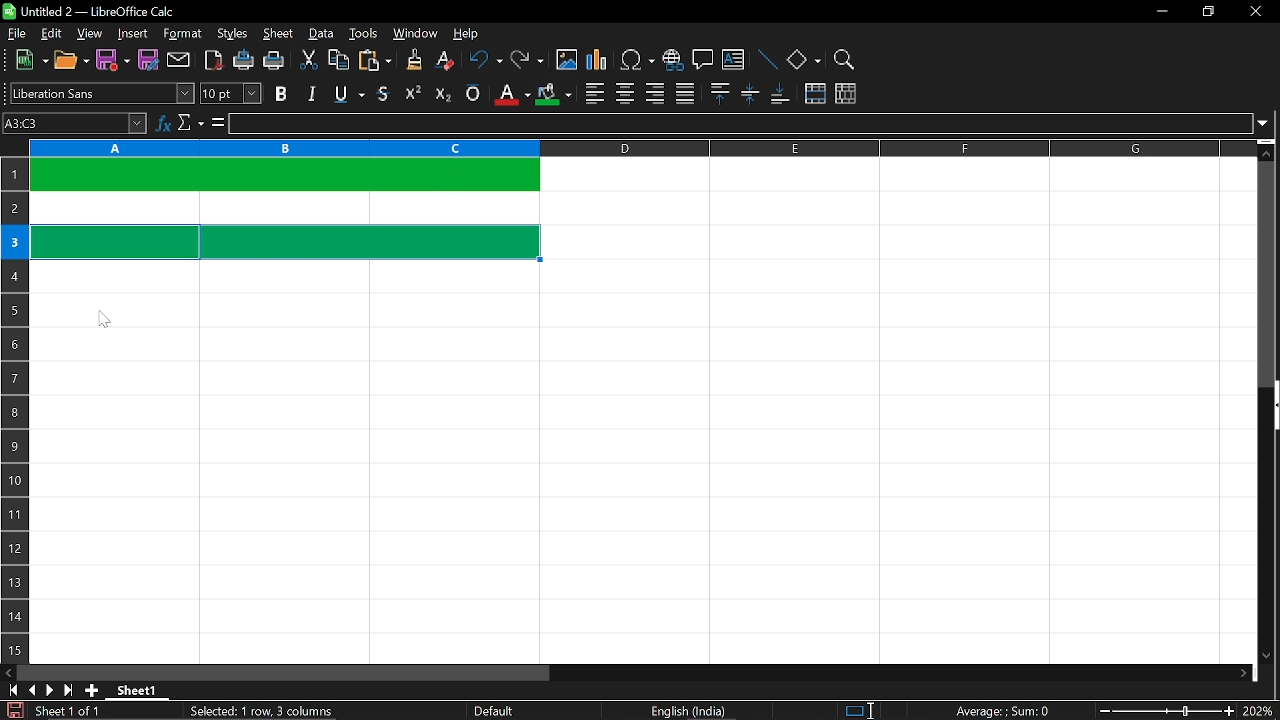 The width and height of the screenshot is (1280, 720). What do you see at coordinates (90, 11) in the screenshot?
I see `Untitled 2 - LibreOffice Calc` at bounding box center [90, 11].